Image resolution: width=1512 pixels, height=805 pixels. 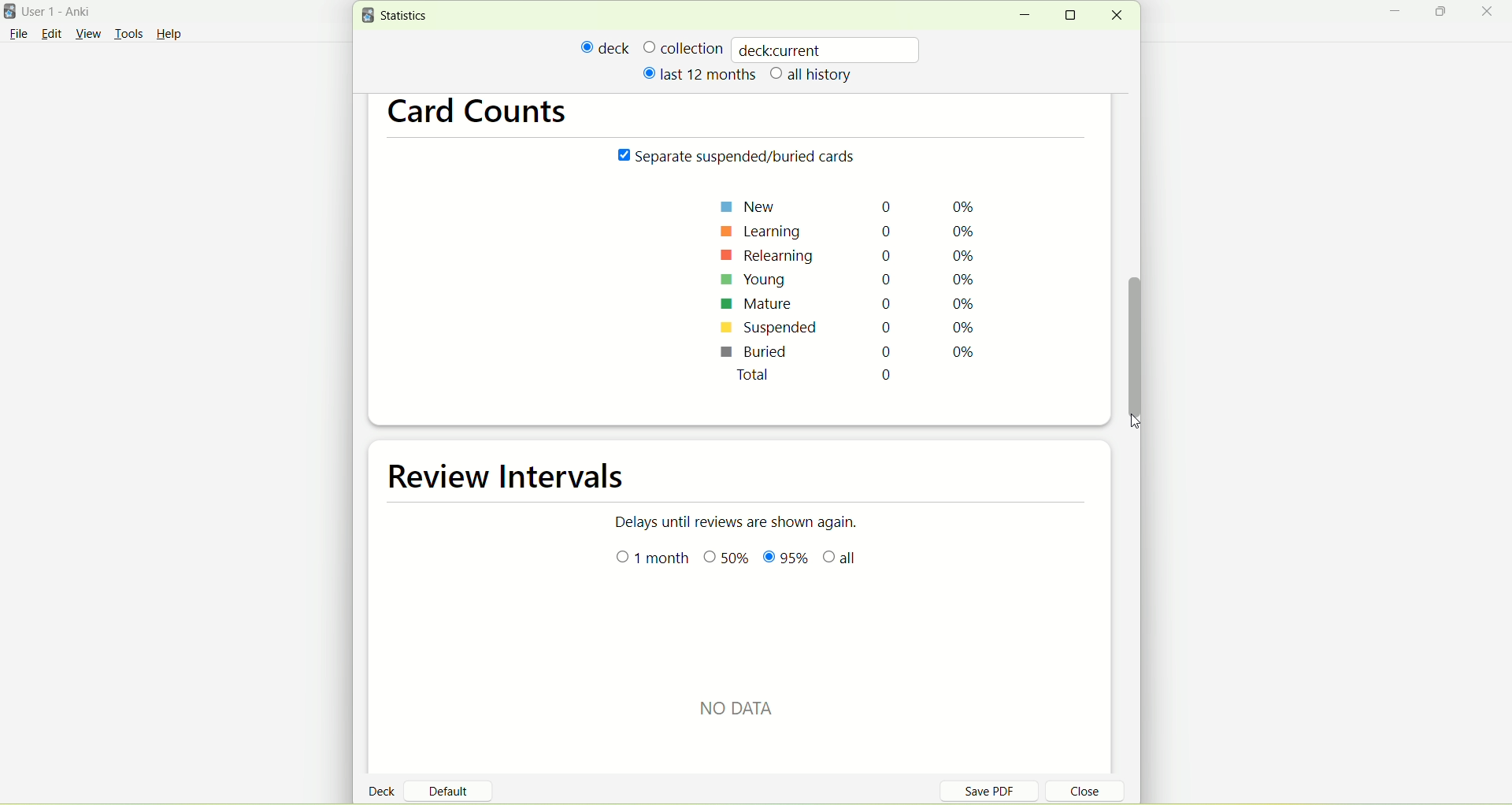 I want to click on text, so click(x=753, y=706).